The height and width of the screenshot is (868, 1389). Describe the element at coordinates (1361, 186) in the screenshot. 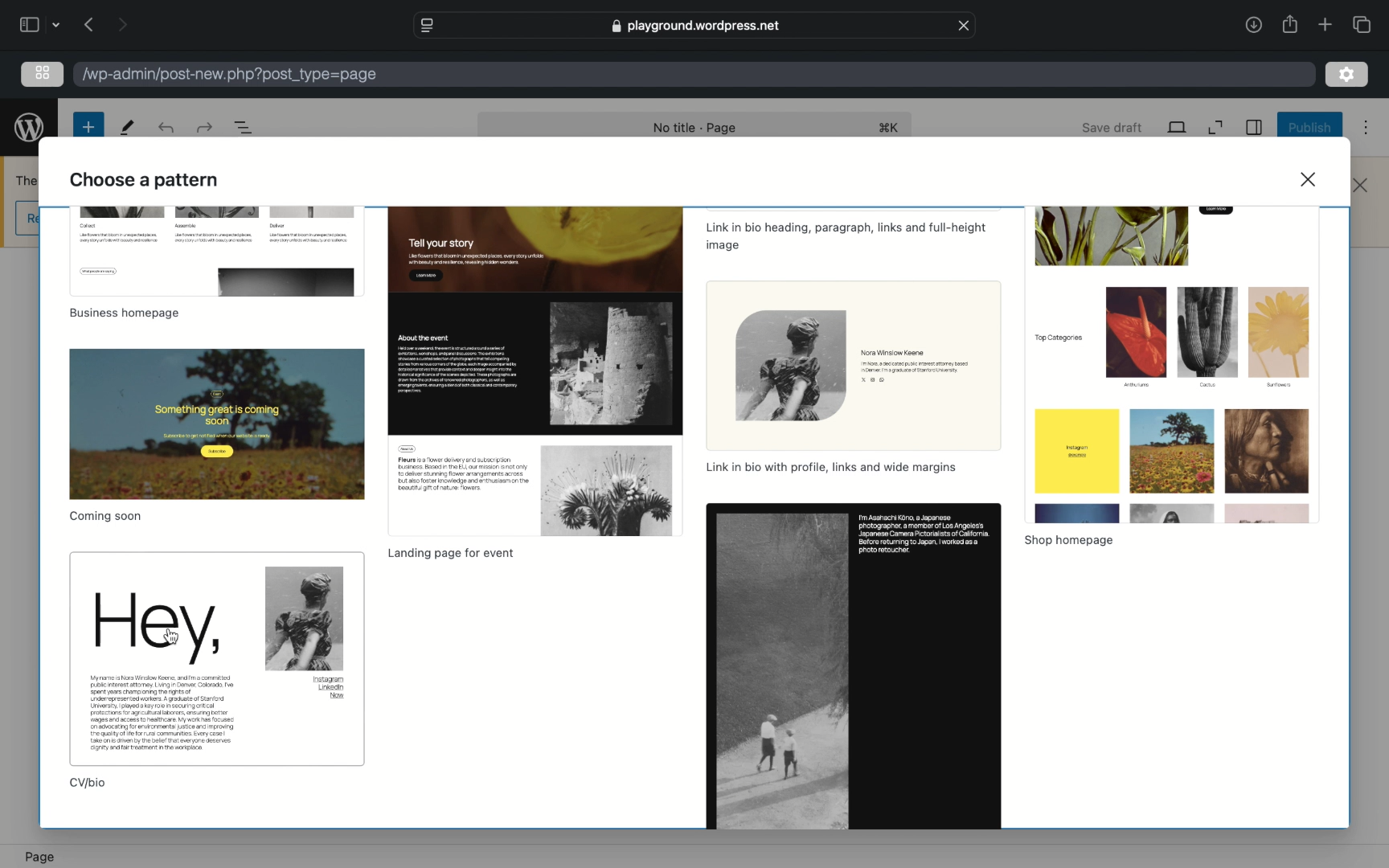

I see `close` at that location.